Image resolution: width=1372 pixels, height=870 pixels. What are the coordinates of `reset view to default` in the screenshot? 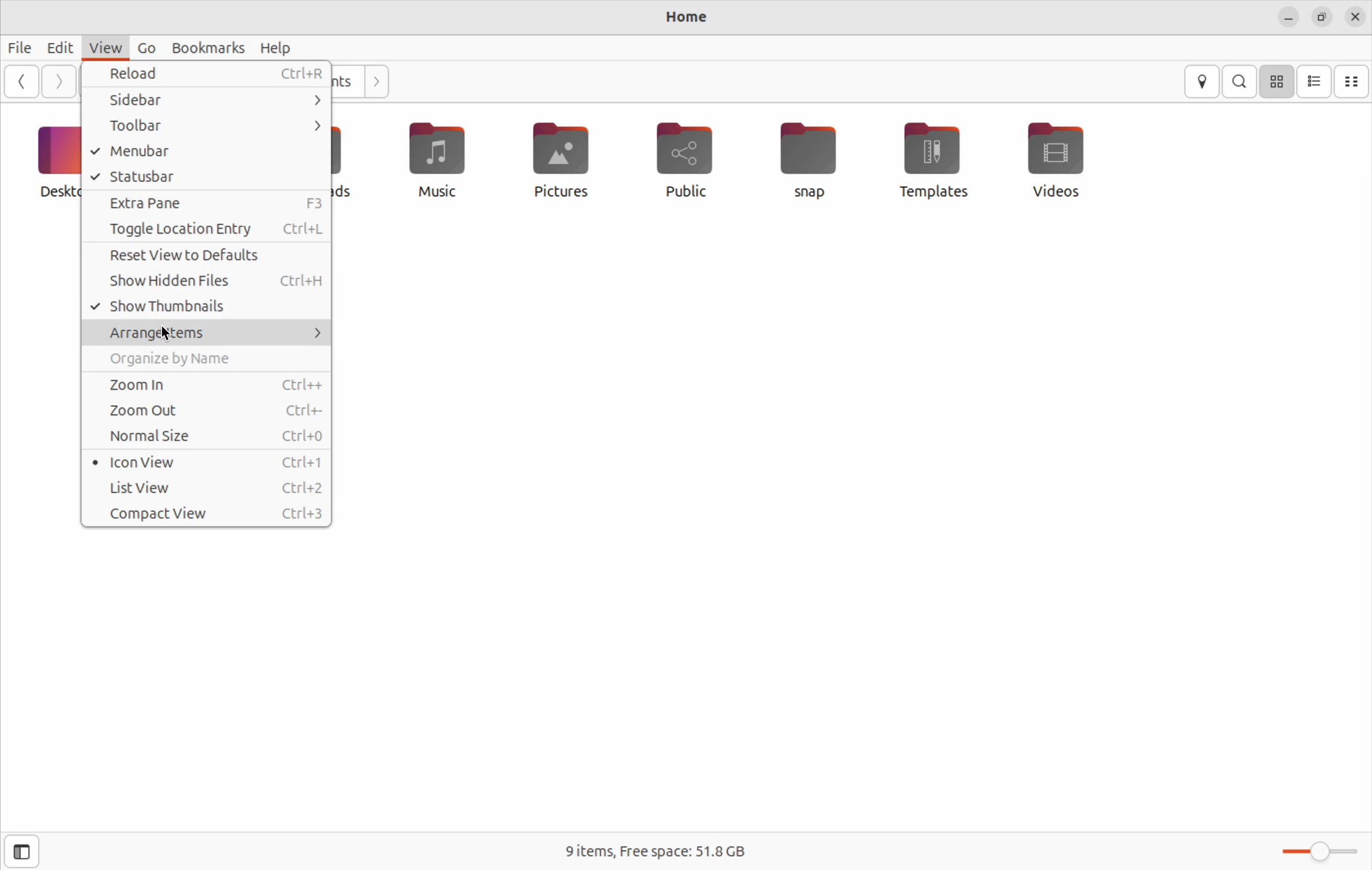 It's located at (210, 256).